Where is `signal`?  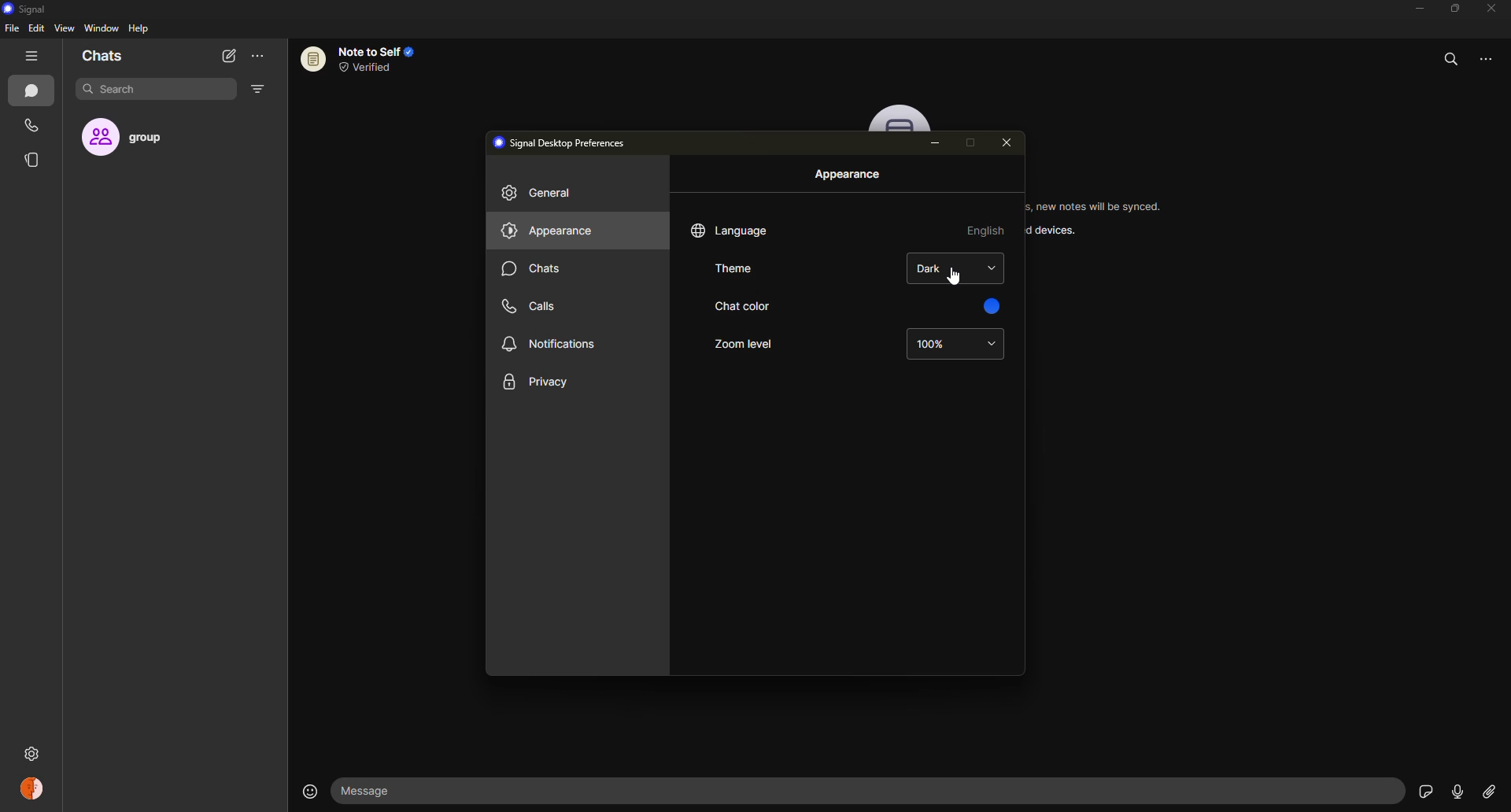
signal is located at coordinates (24, 10).